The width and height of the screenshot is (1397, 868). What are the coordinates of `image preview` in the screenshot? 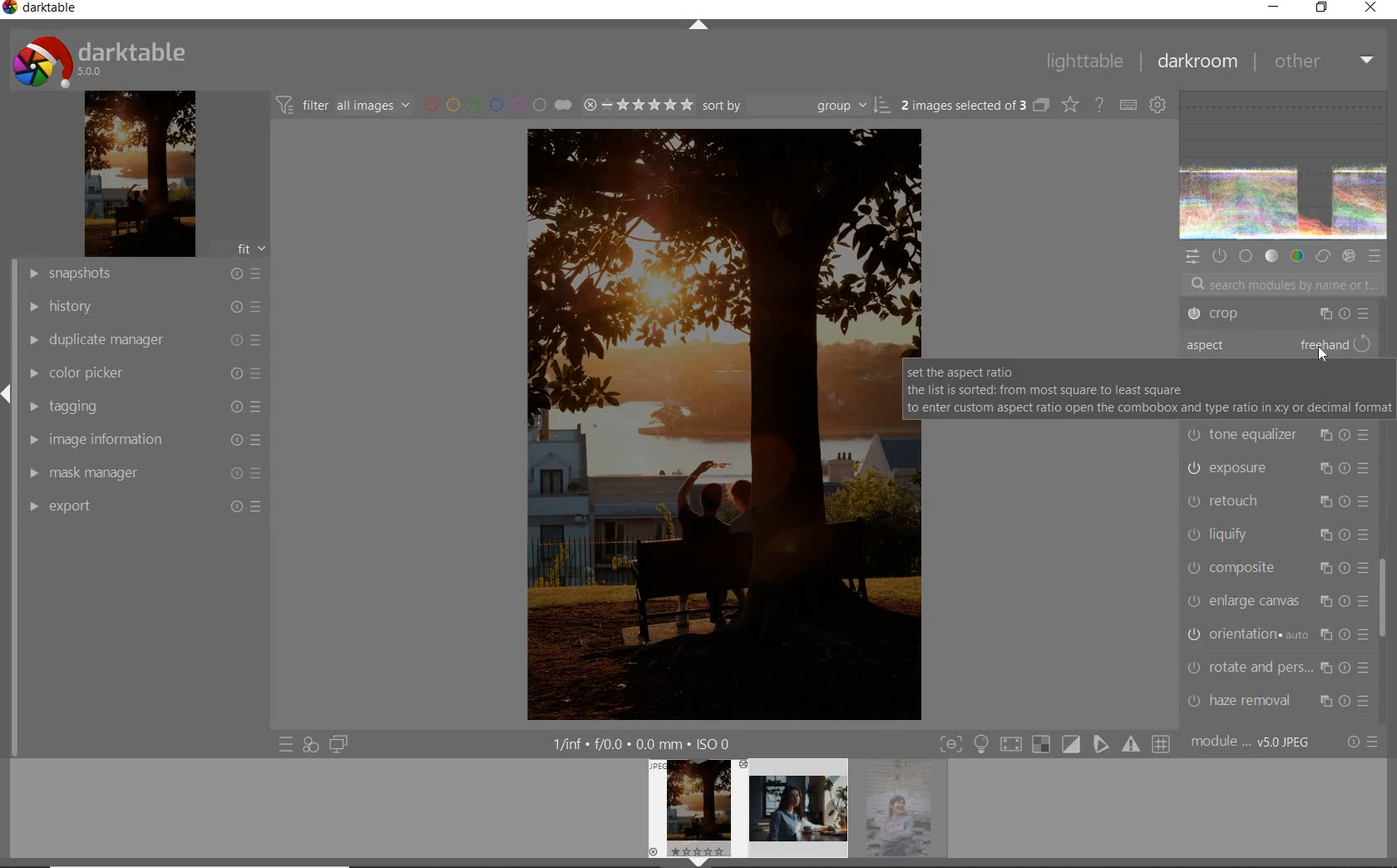 It's located at (906, 813).